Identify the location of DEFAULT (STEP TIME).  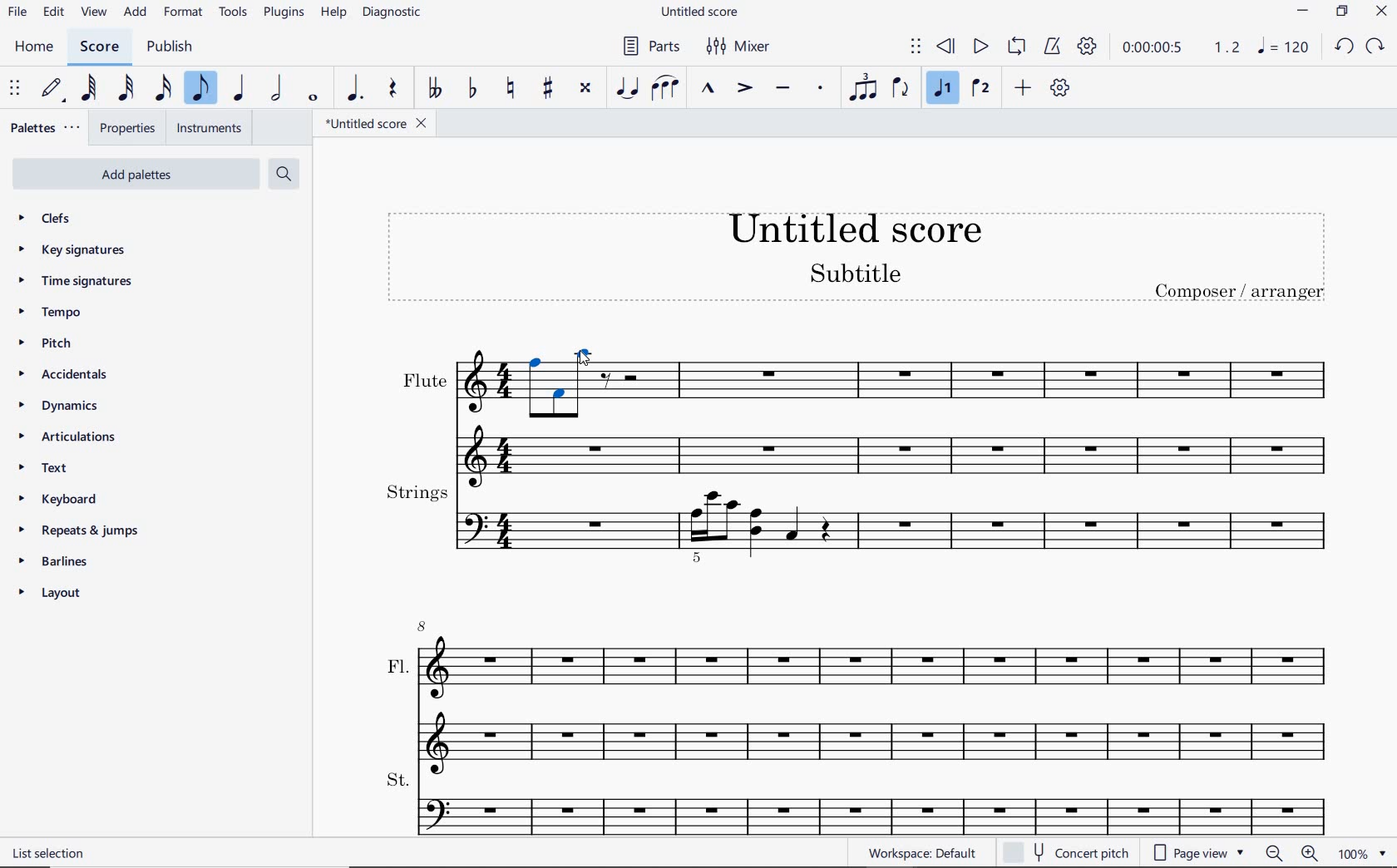
(50, 89).